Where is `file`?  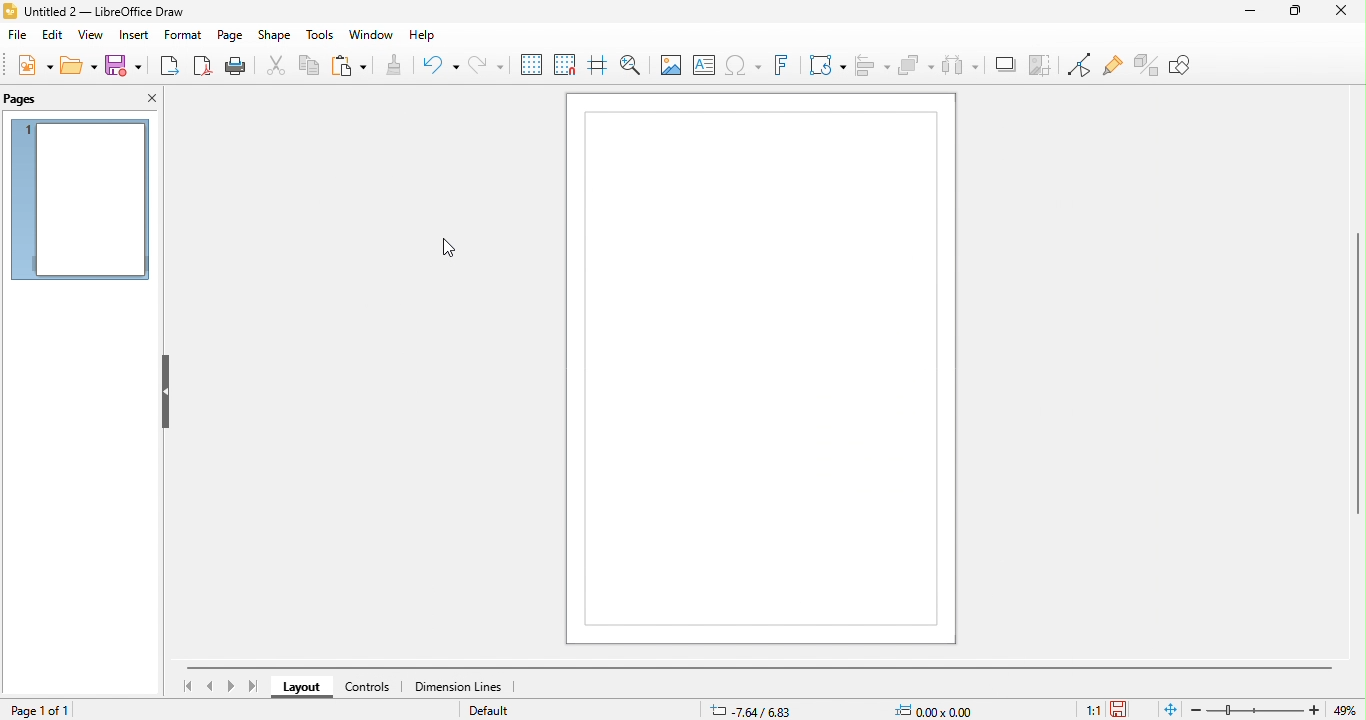 file is located at coordinates (17, 35).